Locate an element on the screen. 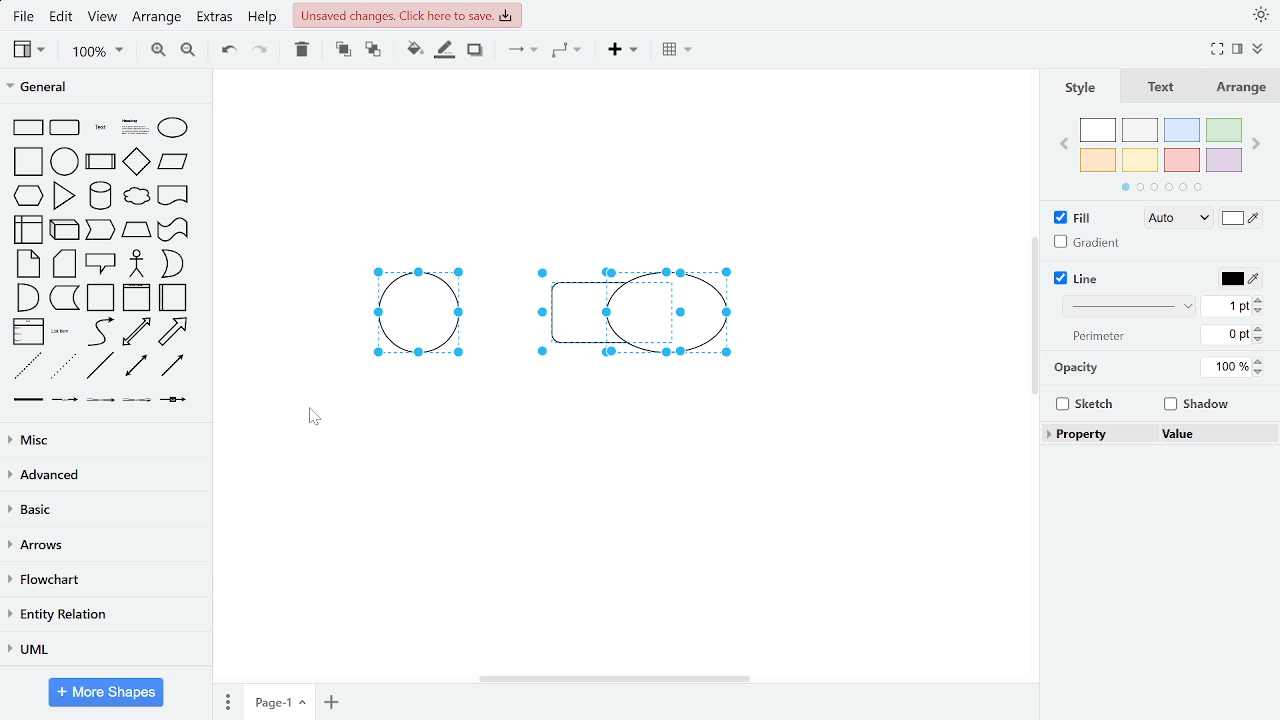  text is located at coordinates (1162, 87).